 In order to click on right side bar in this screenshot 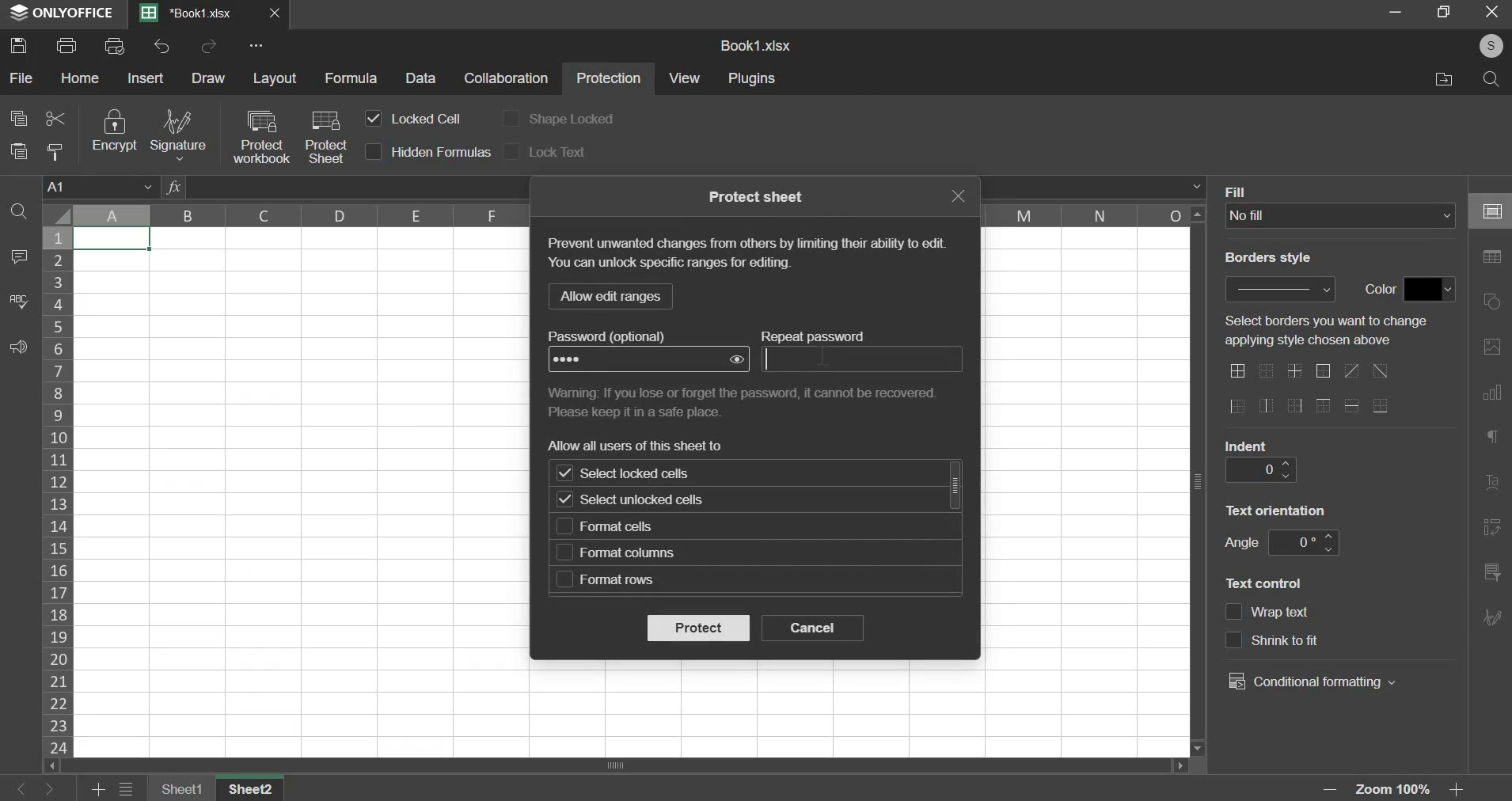, I will do `click(1492, 526)`.